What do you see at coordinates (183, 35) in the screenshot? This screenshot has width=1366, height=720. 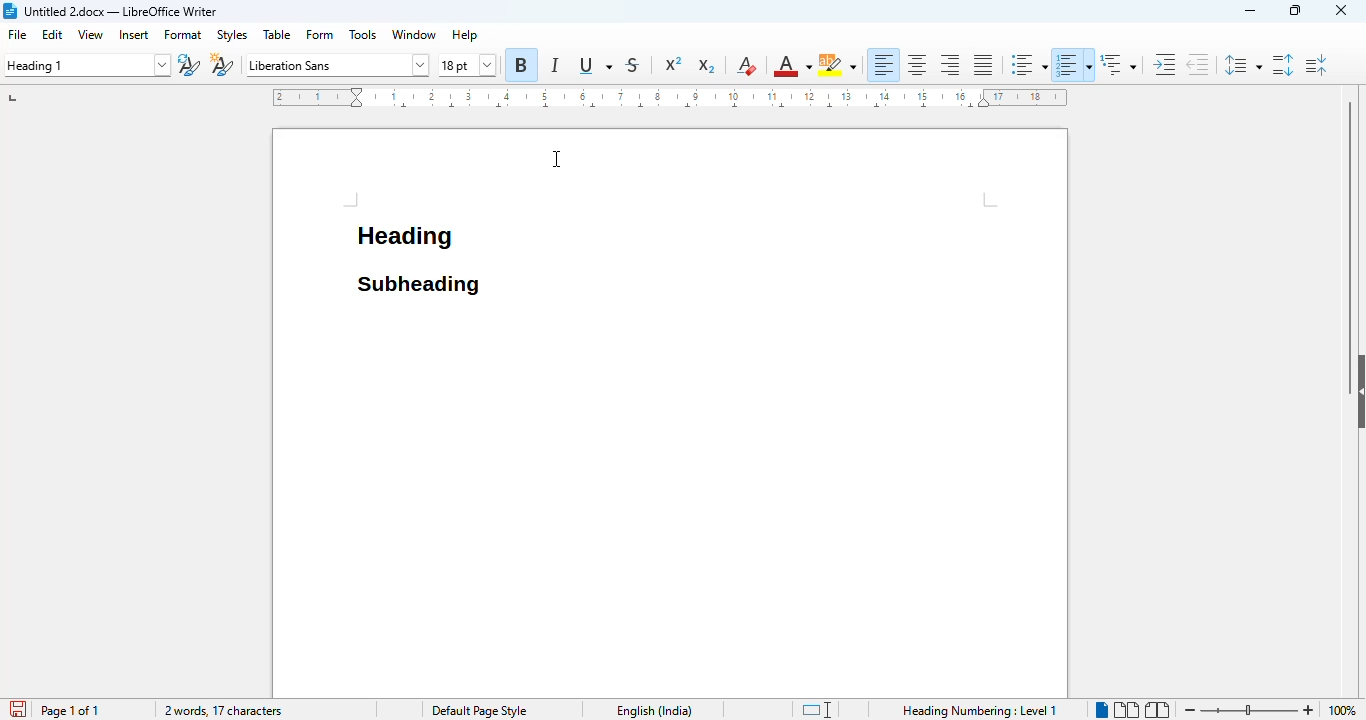 I see `format` at bounding box center [183, 35].